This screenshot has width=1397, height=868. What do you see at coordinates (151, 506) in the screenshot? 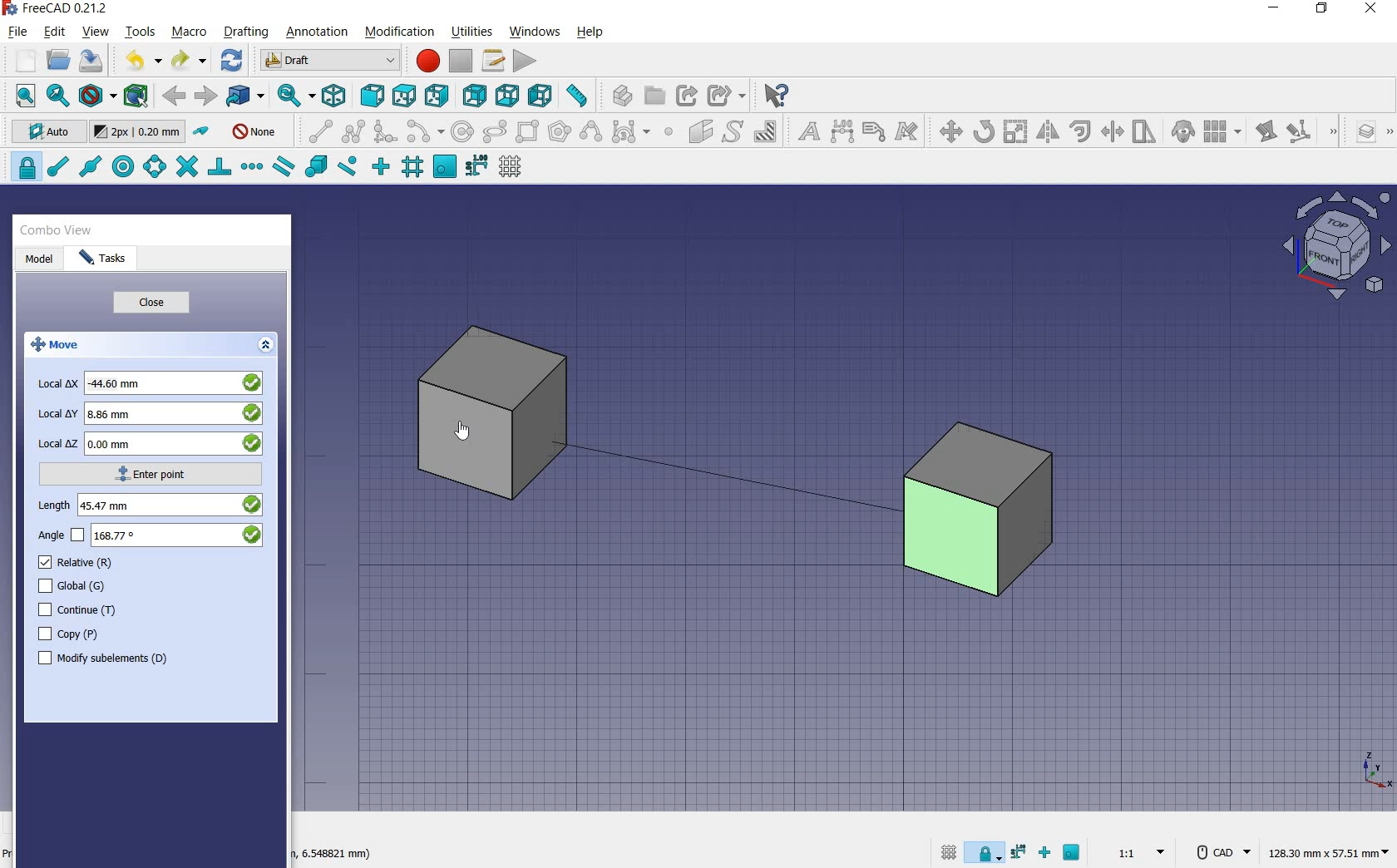
I see `length` at bounding box center [151, 506].